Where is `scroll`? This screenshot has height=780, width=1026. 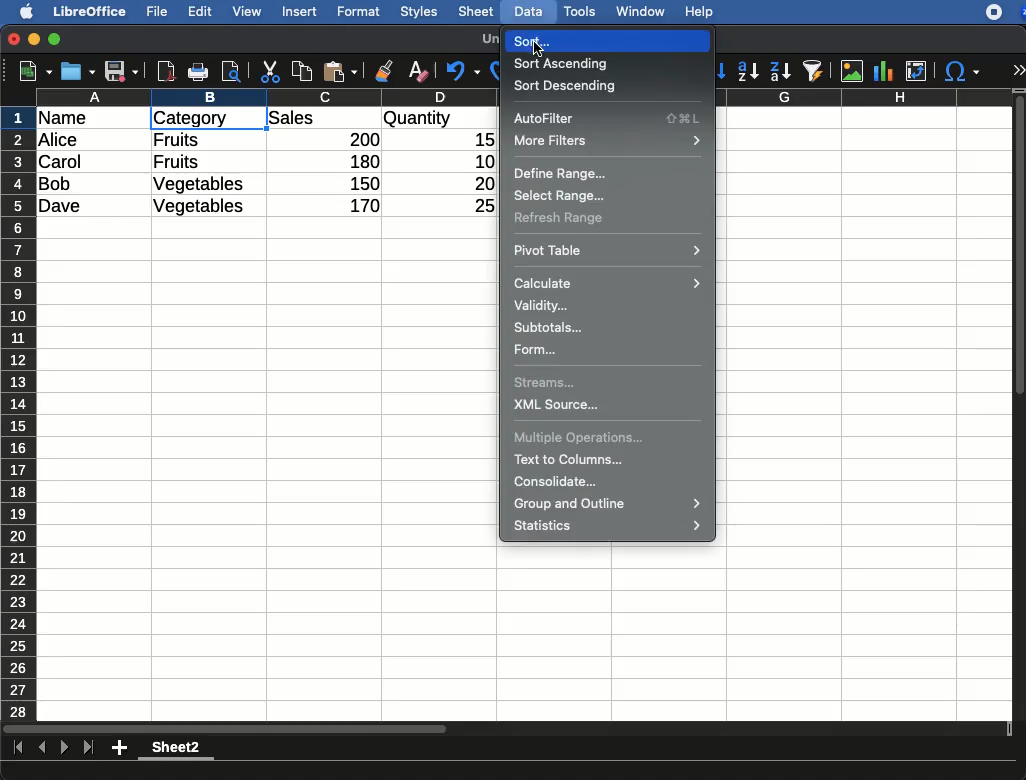 scroll is located at coordinates (1021, 404).